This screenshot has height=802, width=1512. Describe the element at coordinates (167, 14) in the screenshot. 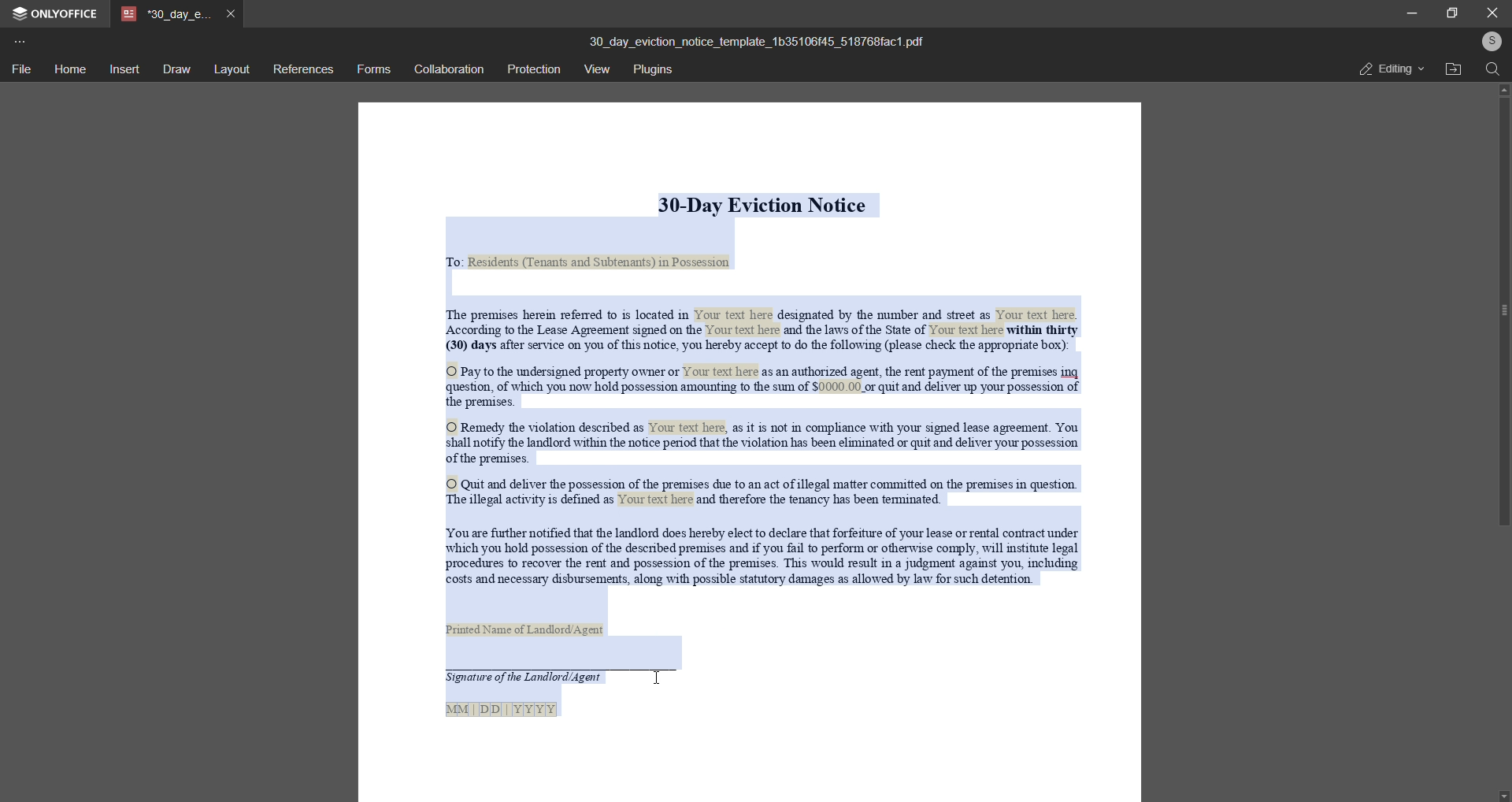

I see `tab name` at that location.